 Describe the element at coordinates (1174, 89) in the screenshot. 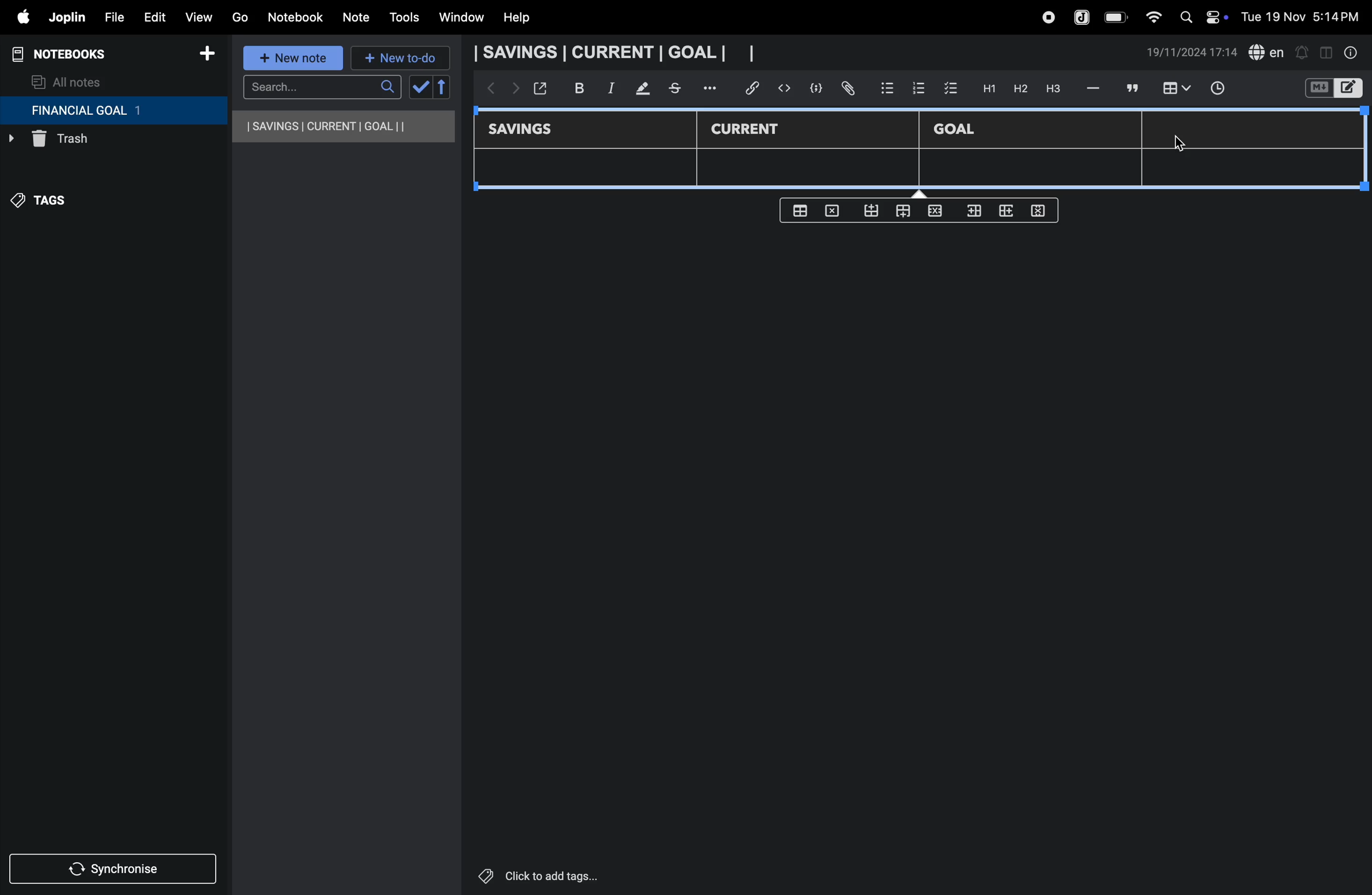

I see `insert table` at that location.